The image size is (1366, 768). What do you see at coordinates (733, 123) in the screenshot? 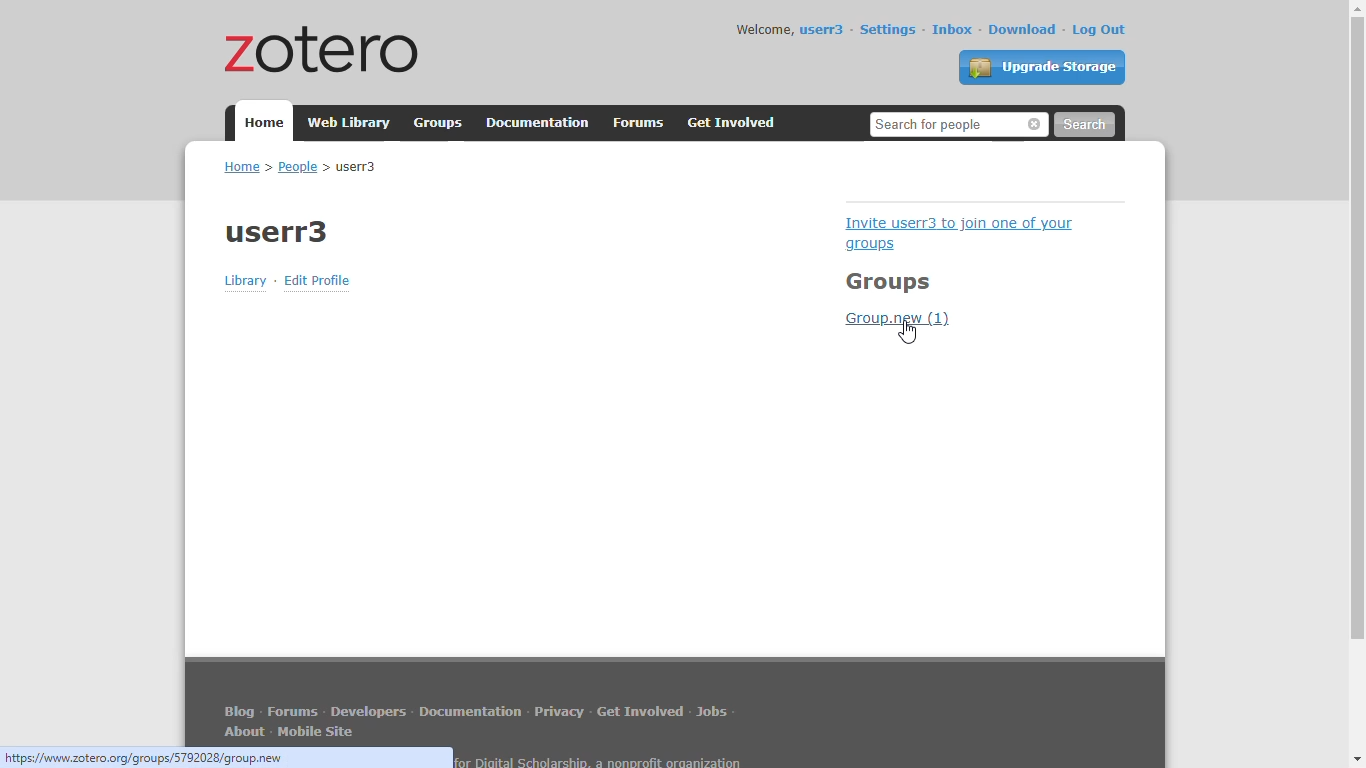
I see `get involved` at bounding box center [733, 123].